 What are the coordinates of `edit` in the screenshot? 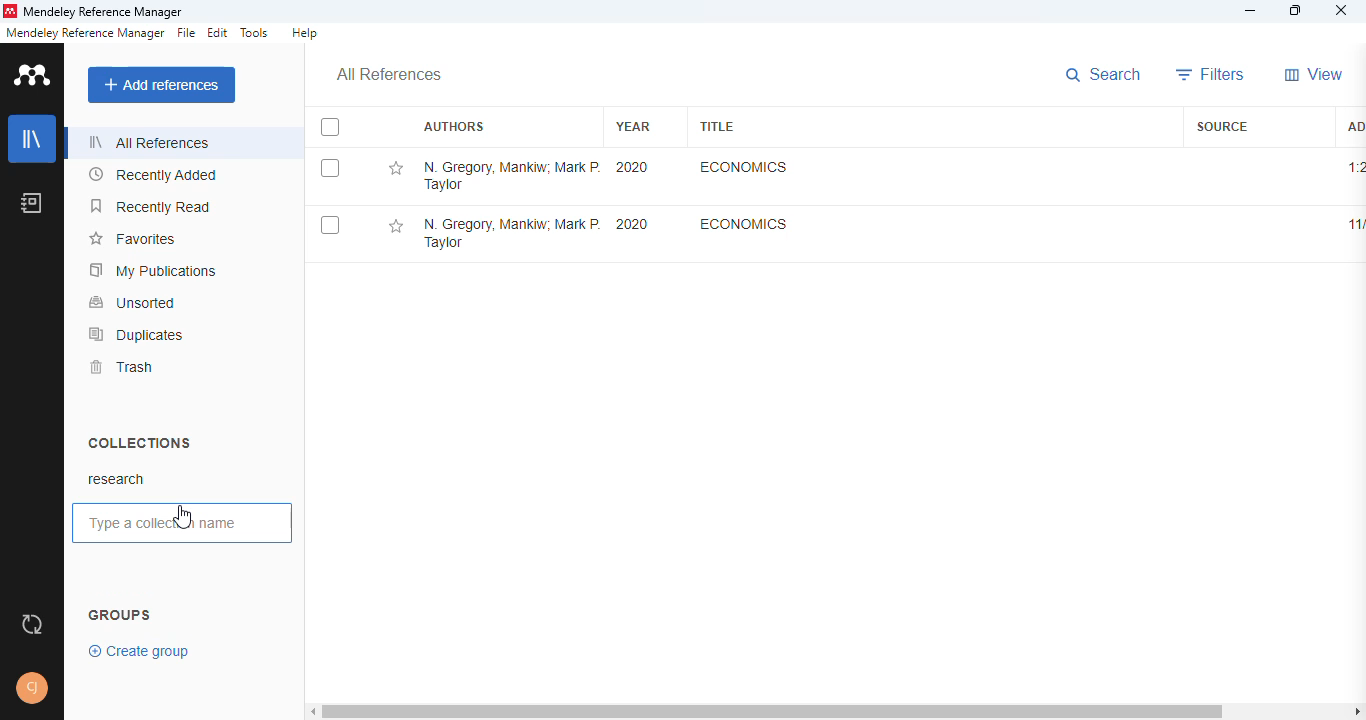 It's located at (219, 33).